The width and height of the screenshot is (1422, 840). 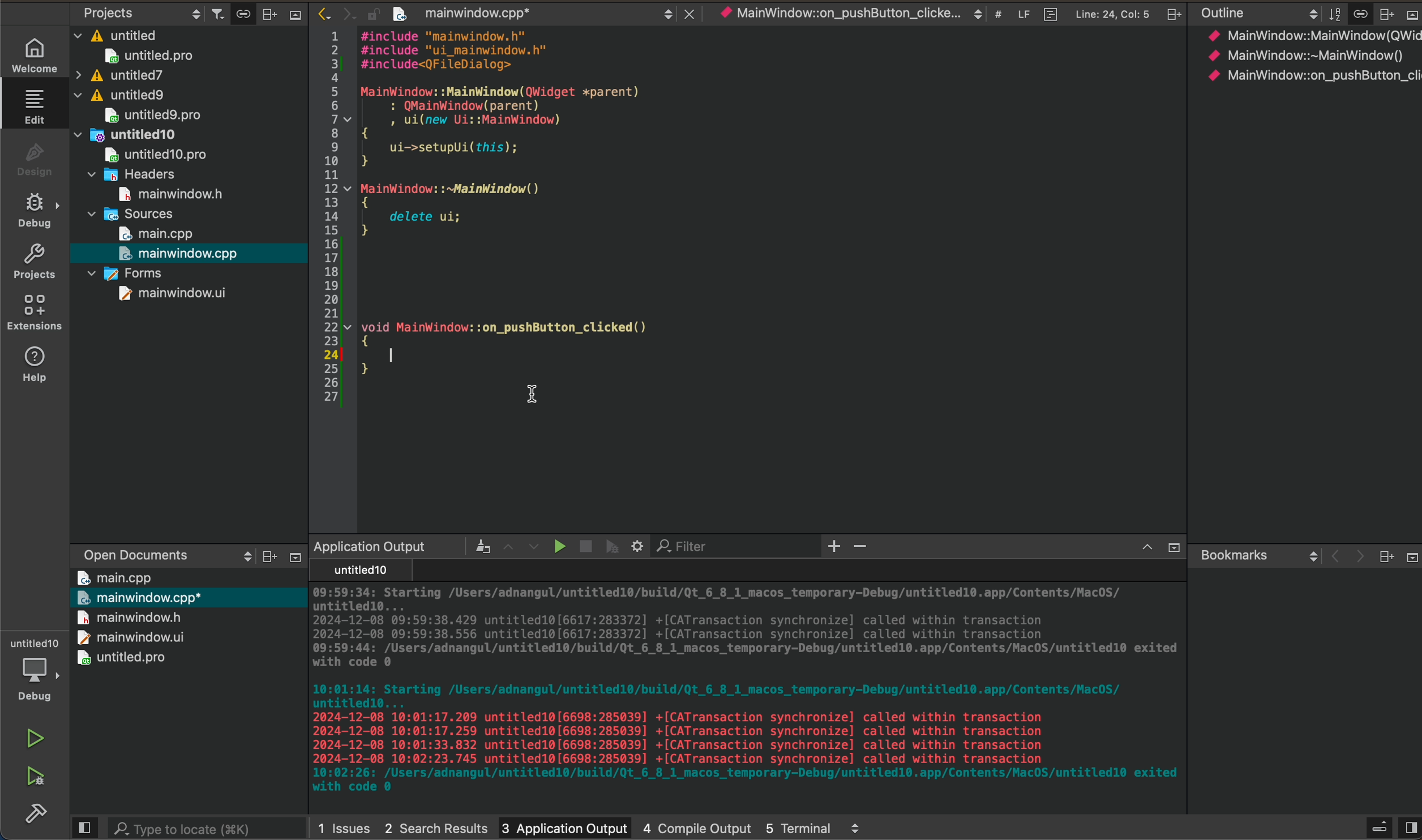 What do you see at coordinates (33, 211) in the screenshot?
I see `debug` at bounding box center [33, 211].